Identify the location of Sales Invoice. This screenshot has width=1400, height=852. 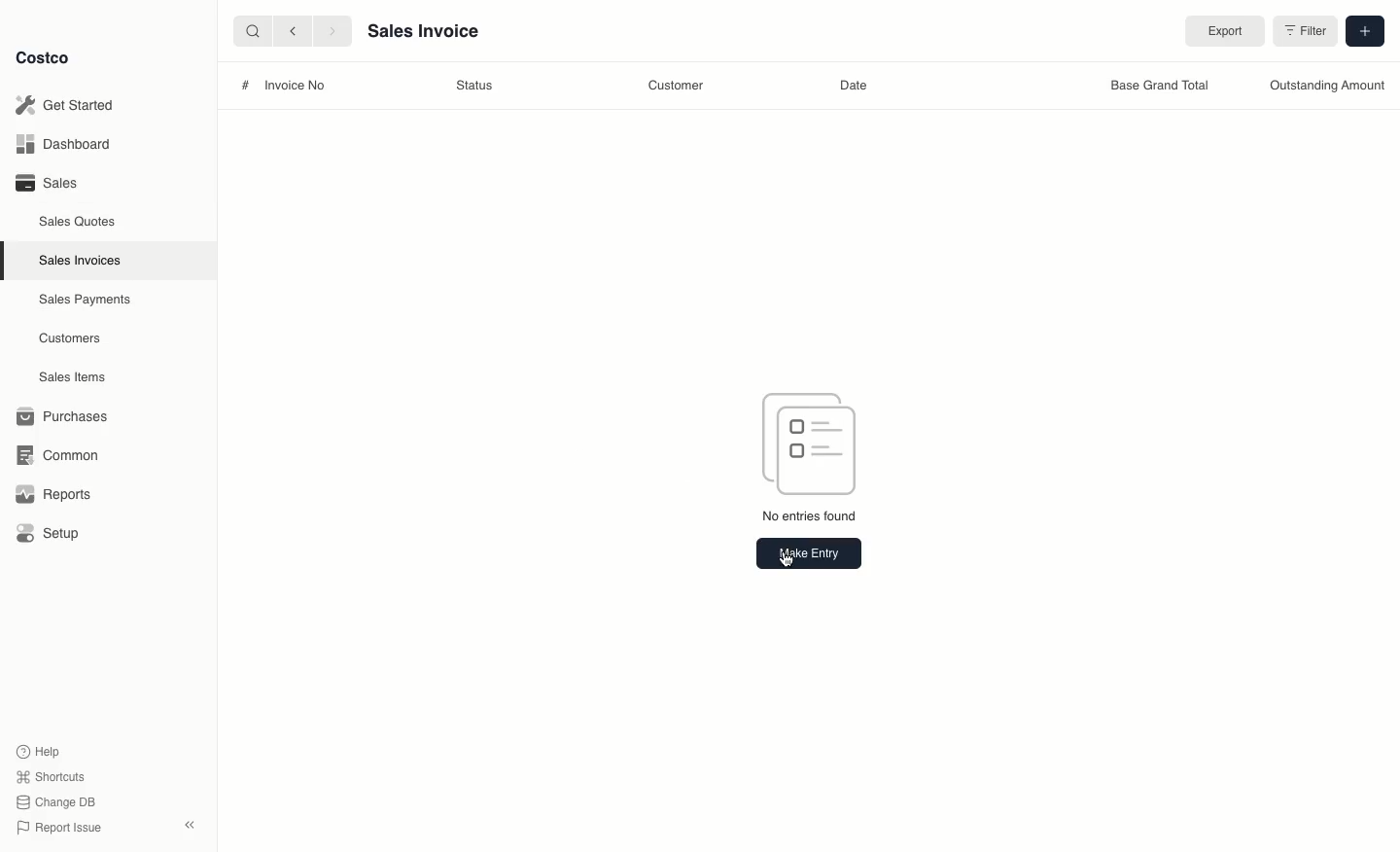
(422, 32).